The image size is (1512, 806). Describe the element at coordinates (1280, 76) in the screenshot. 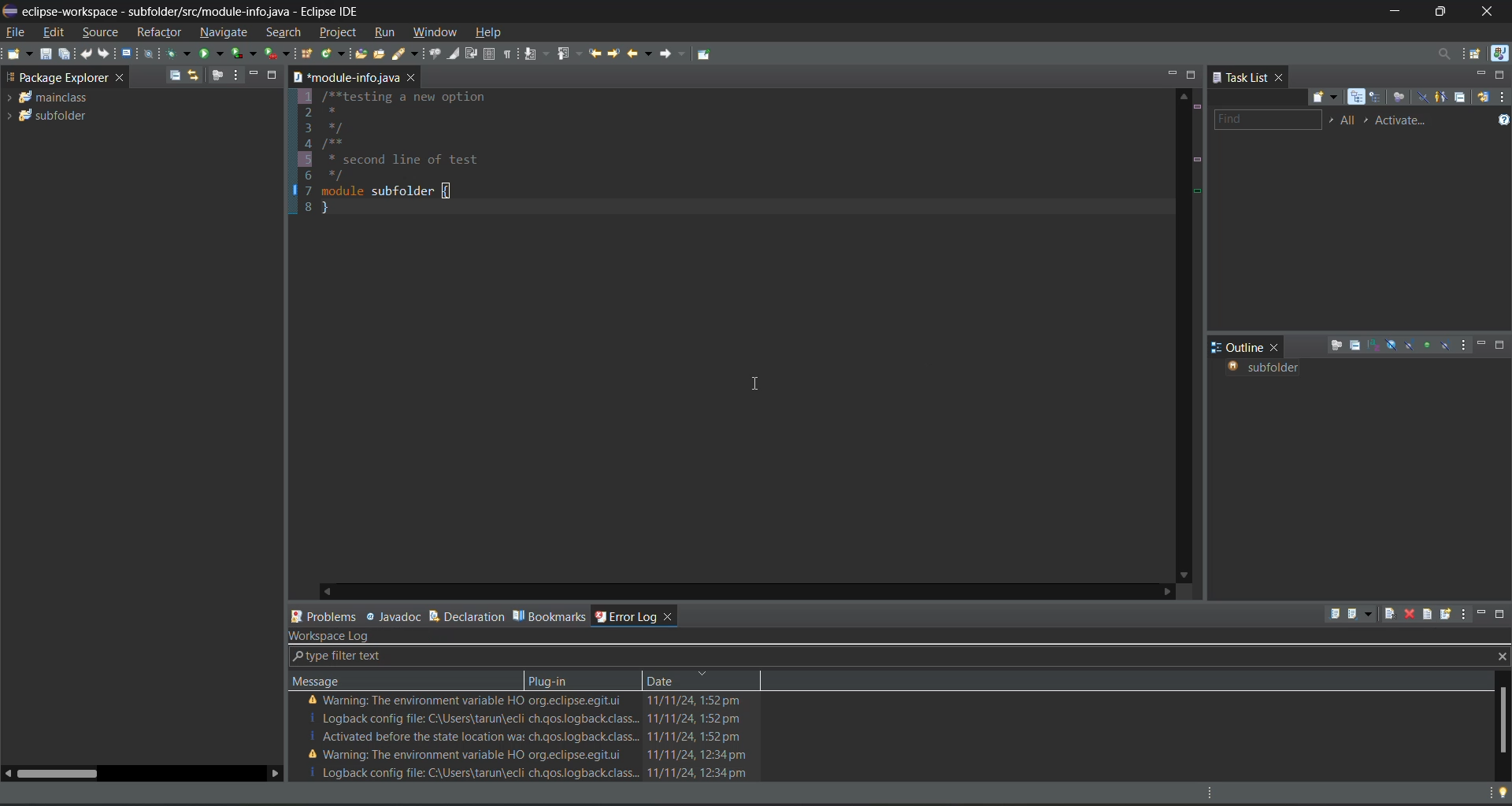

I see `close` at that location.